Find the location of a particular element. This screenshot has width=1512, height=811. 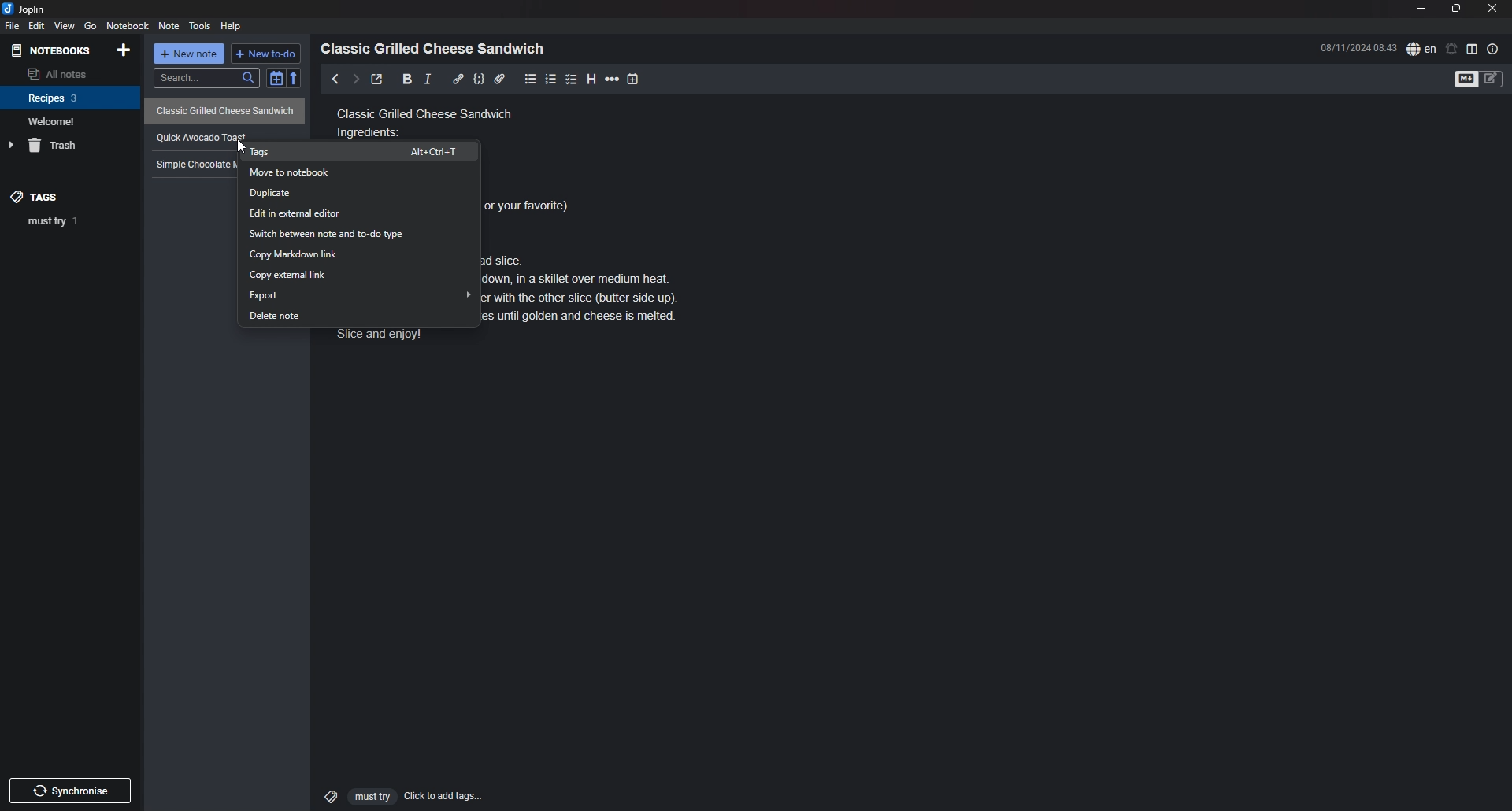

bold is located at coordinates (402, 80).